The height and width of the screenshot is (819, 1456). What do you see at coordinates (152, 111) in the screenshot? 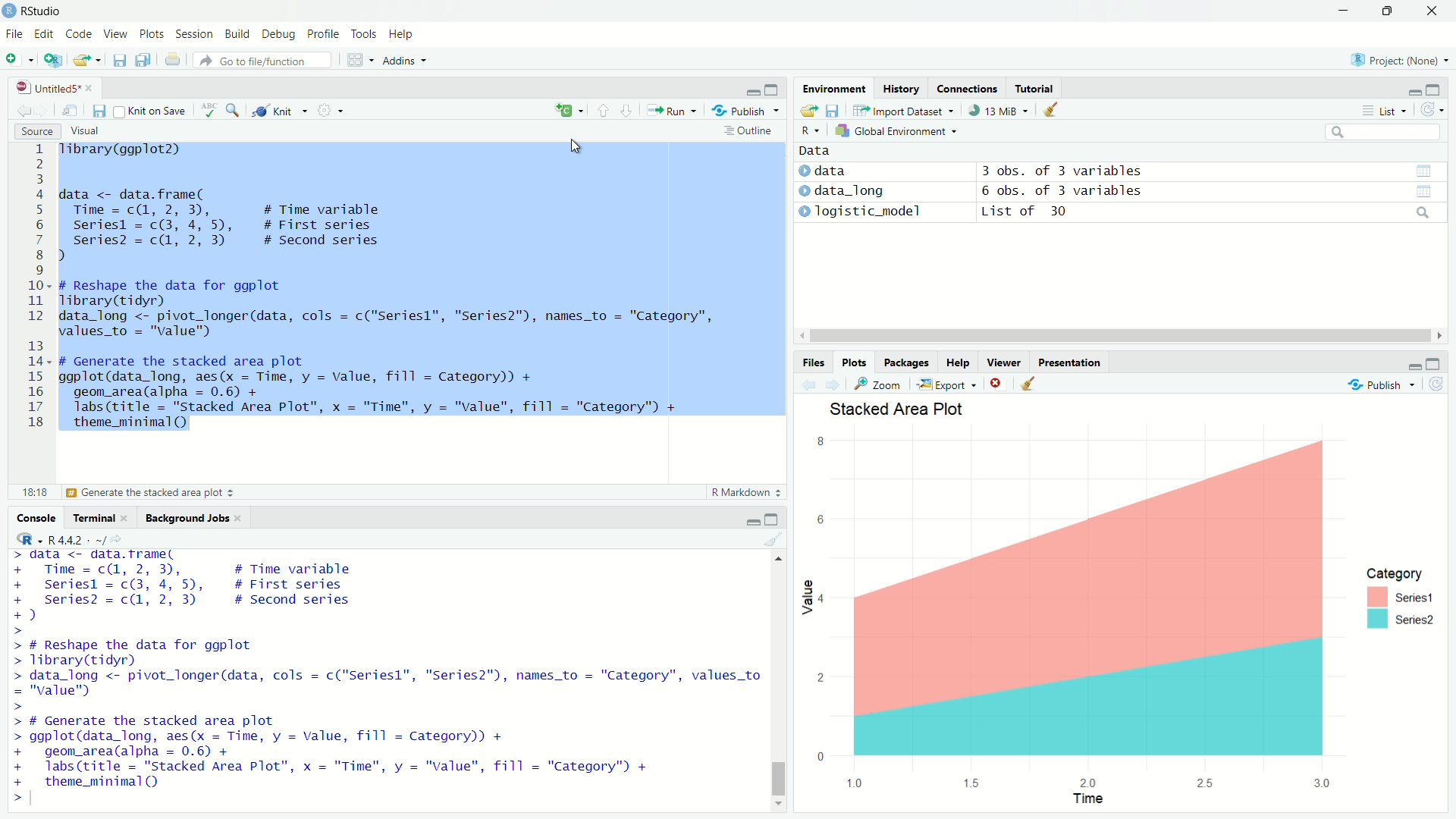
I see `Knit on Save` at bounding box center [152, 111].